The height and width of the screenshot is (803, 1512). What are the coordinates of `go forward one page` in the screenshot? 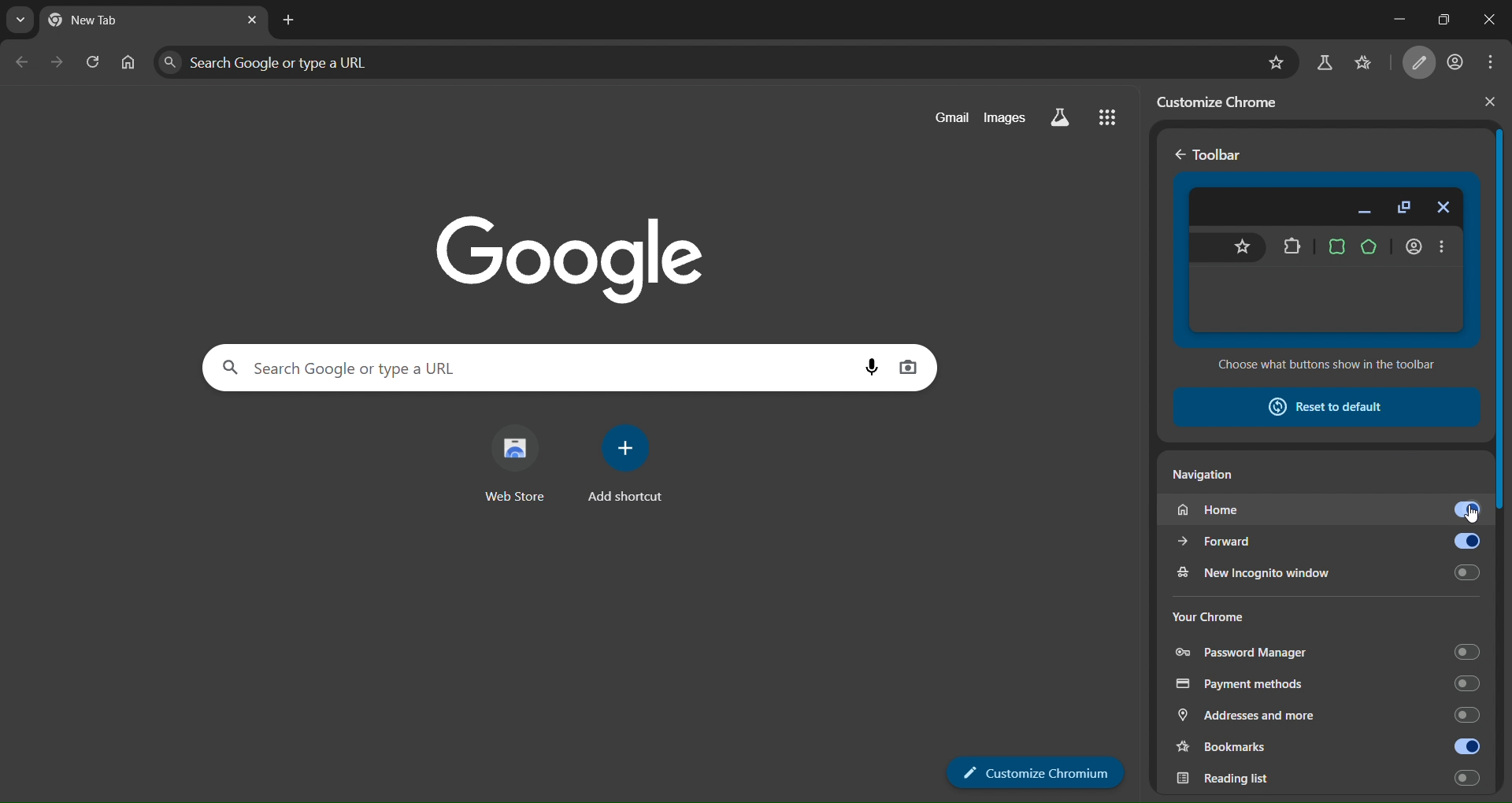 It's located at (60, 66).